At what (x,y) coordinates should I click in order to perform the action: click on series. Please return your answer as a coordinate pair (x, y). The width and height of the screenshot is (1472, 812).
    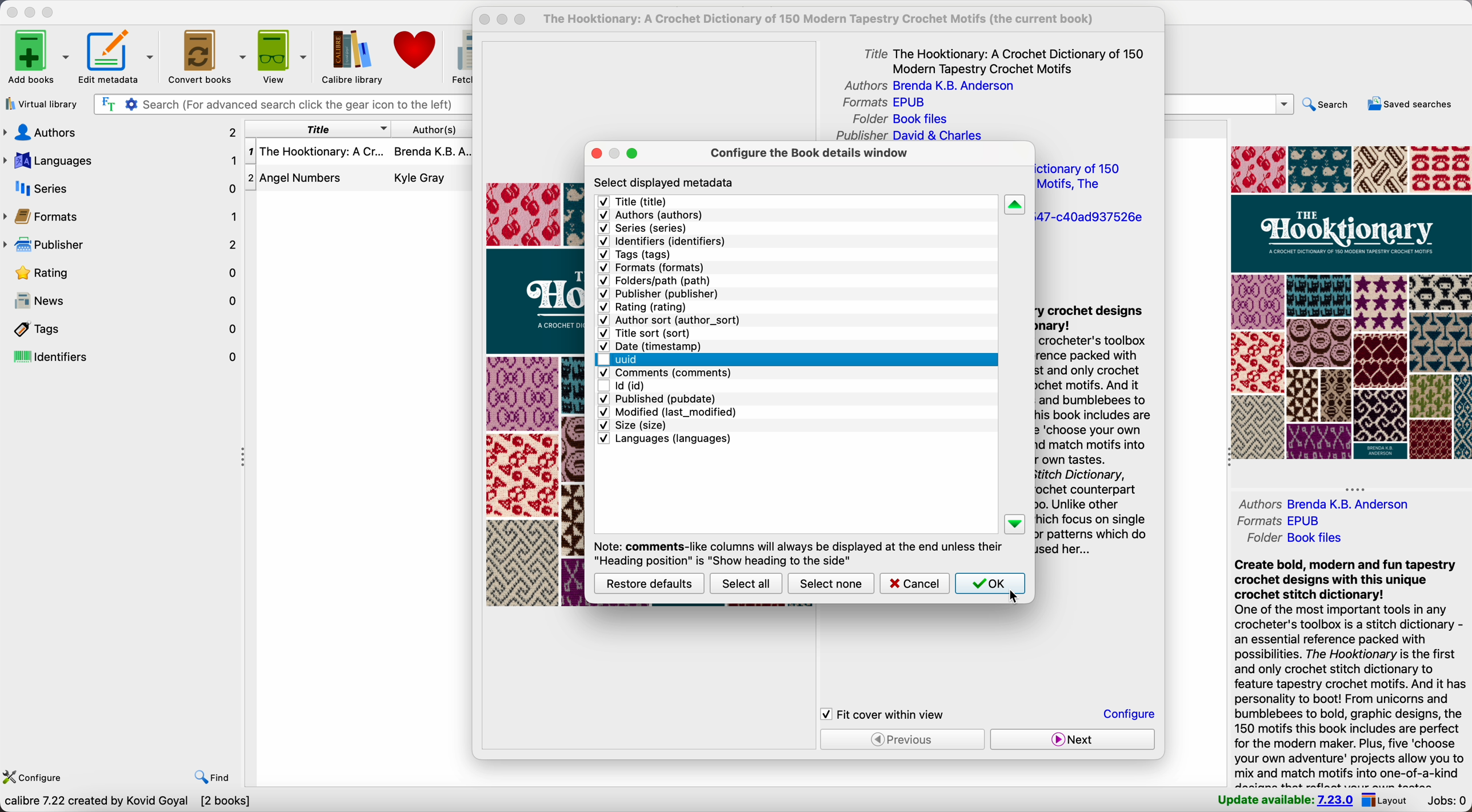
    Looking at the image, I should click on (645, 229).